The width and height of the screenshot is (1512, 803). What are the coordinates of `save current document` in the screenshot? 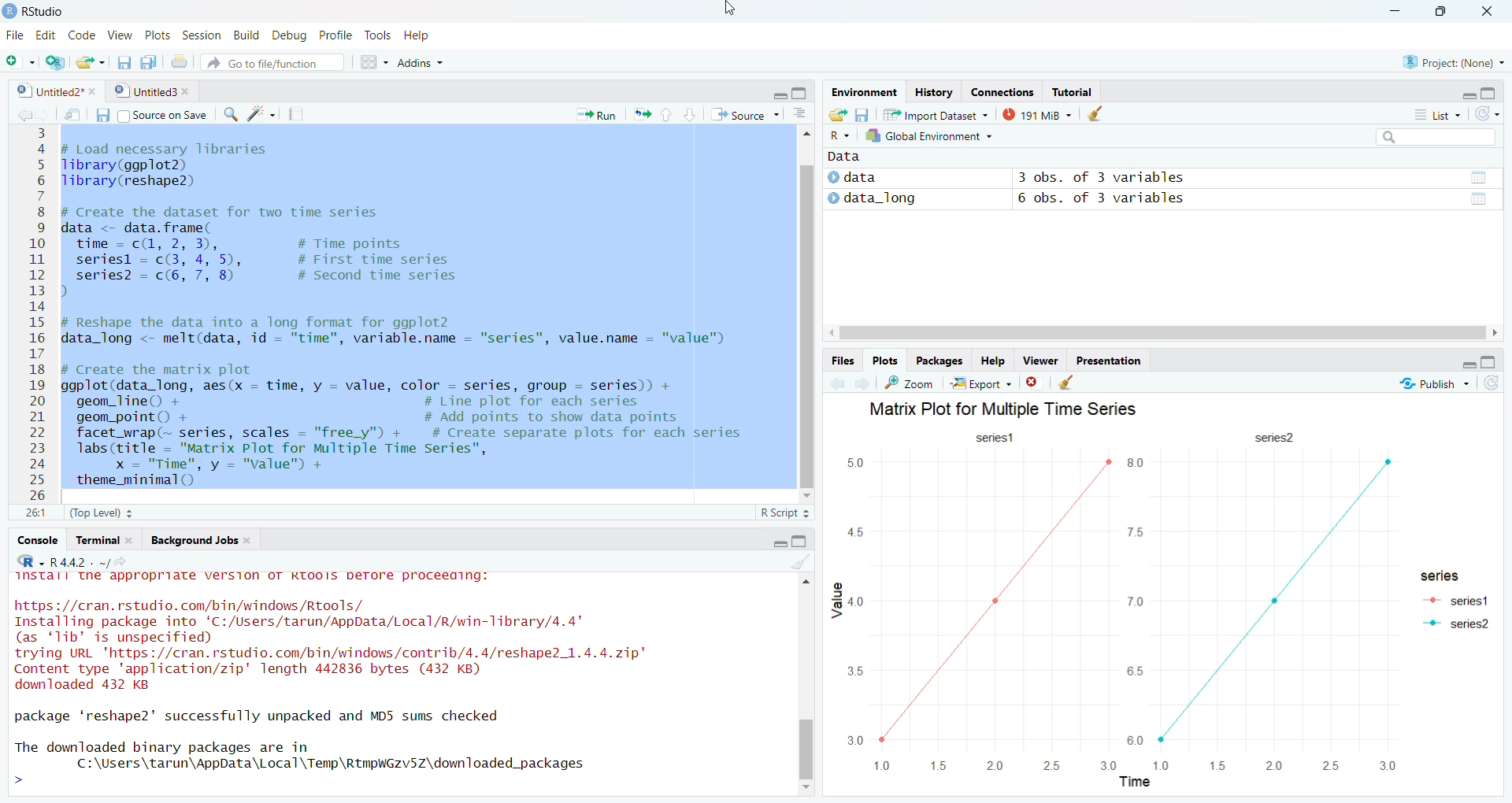 It's located at (122, 61).